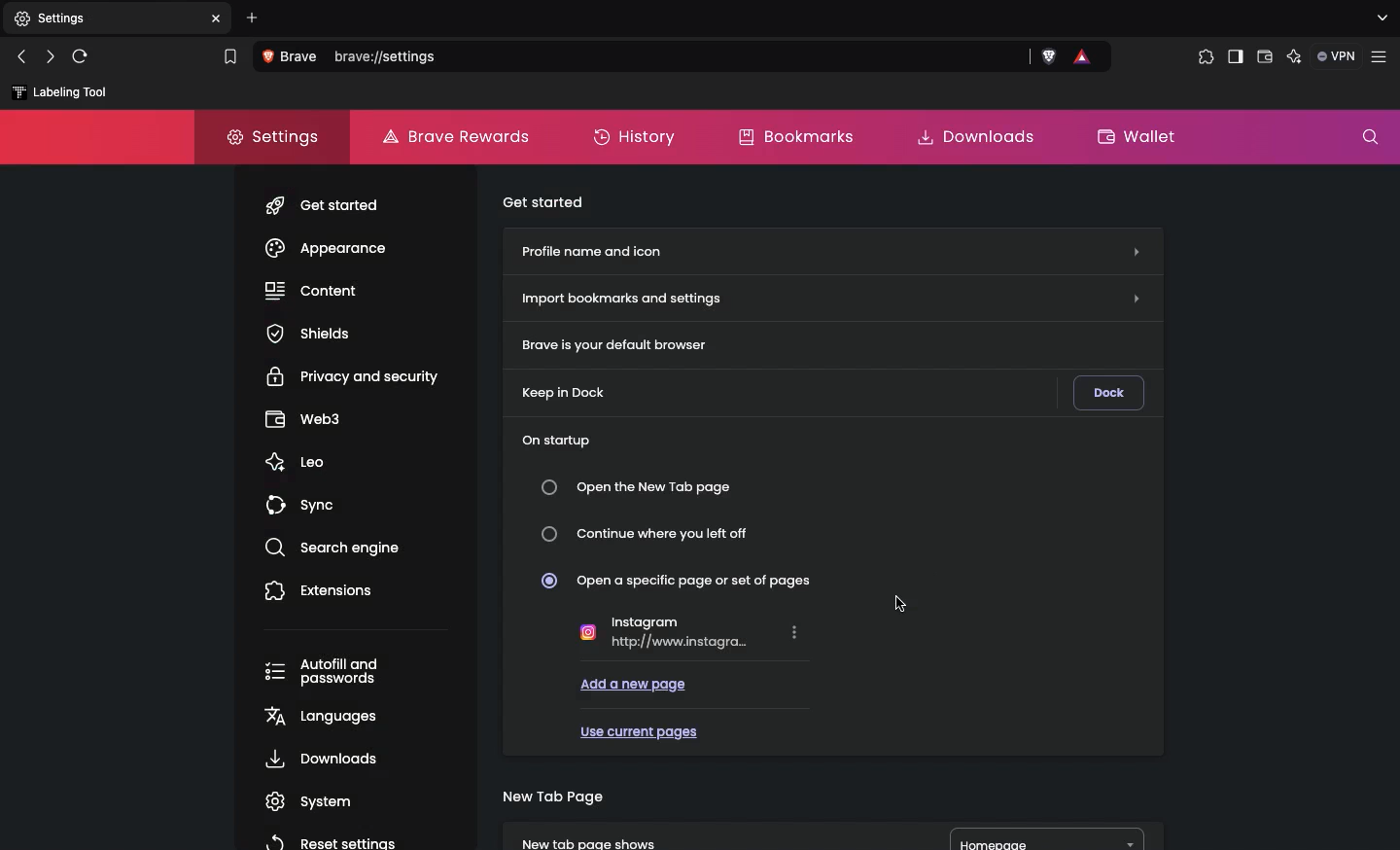 The image size is (1400, 850). What do you see at coordinates (326, 248) in the screenshot?
I see `Appearance` at bounding box center [326, 248].